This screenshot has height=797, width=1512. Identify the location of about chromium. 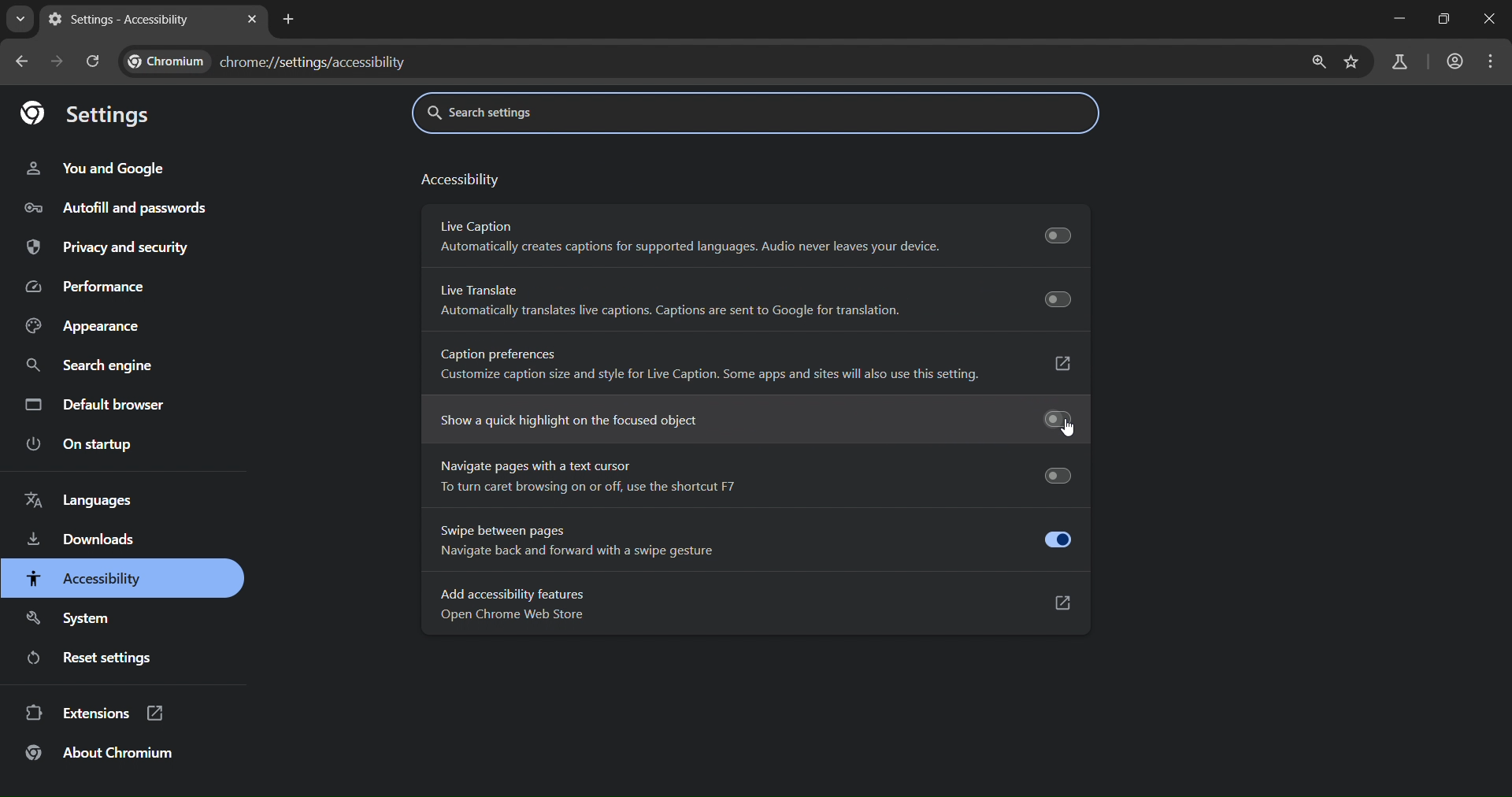
(98, 753).